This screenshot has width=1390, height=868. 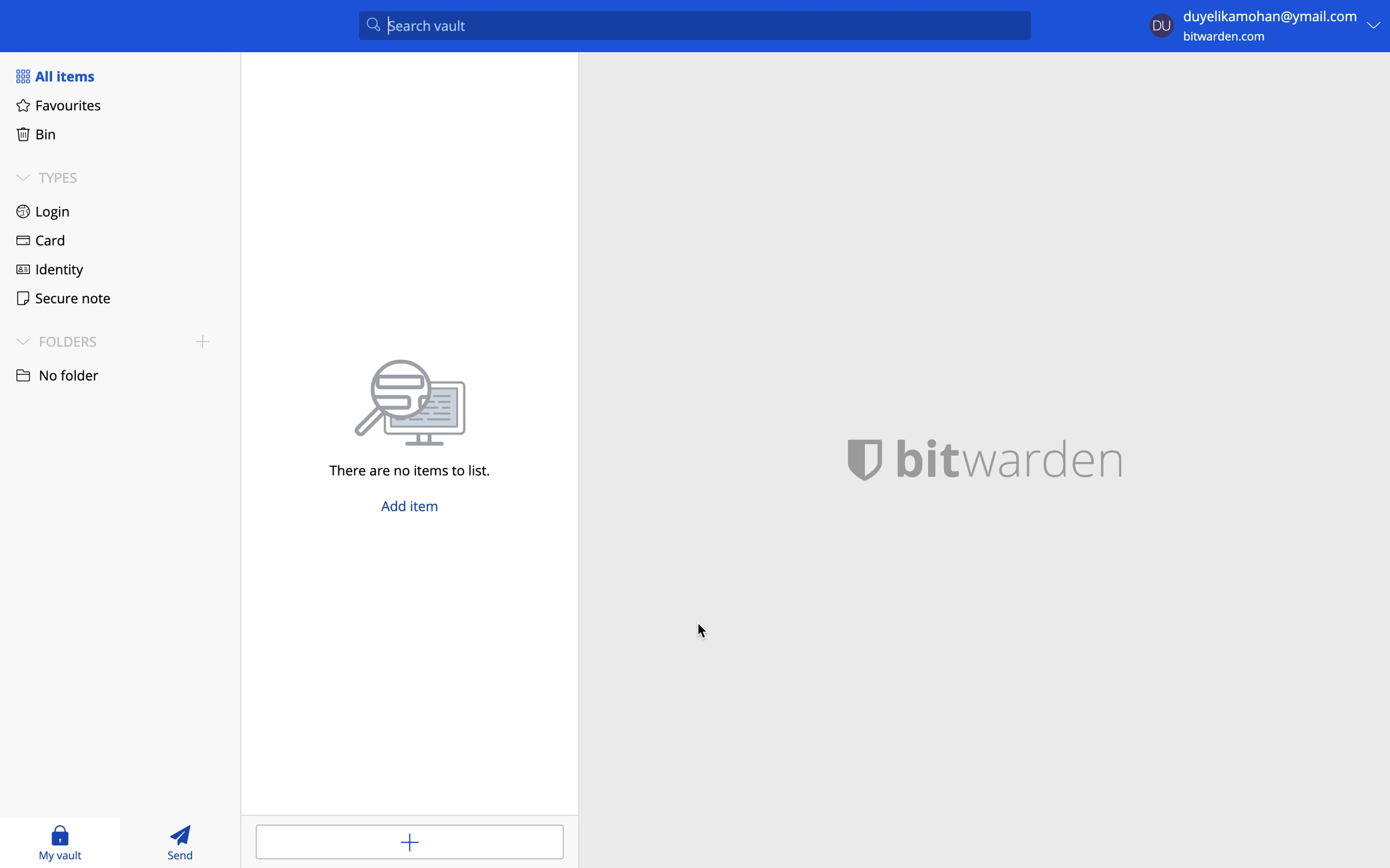 I want to click on card, so click(x=45, y=239).